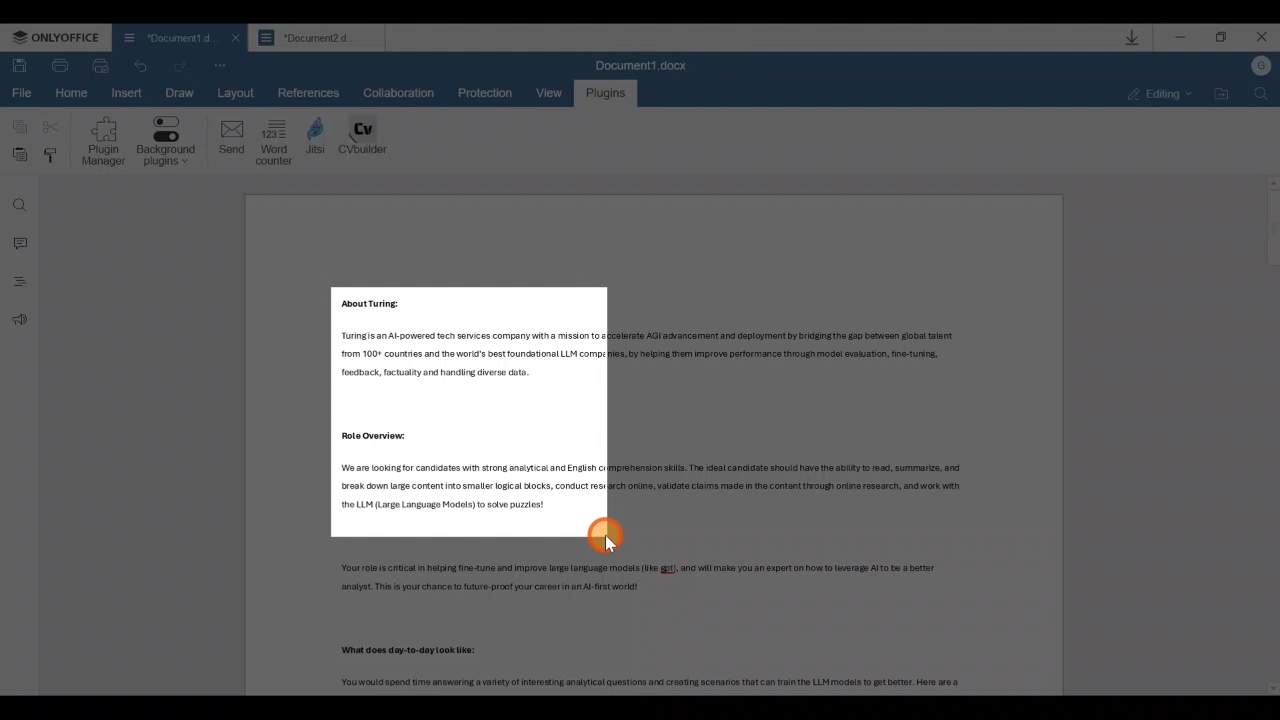 This screenshot has height=720, width=1280. I want to click on Cut, so click(52, 128).